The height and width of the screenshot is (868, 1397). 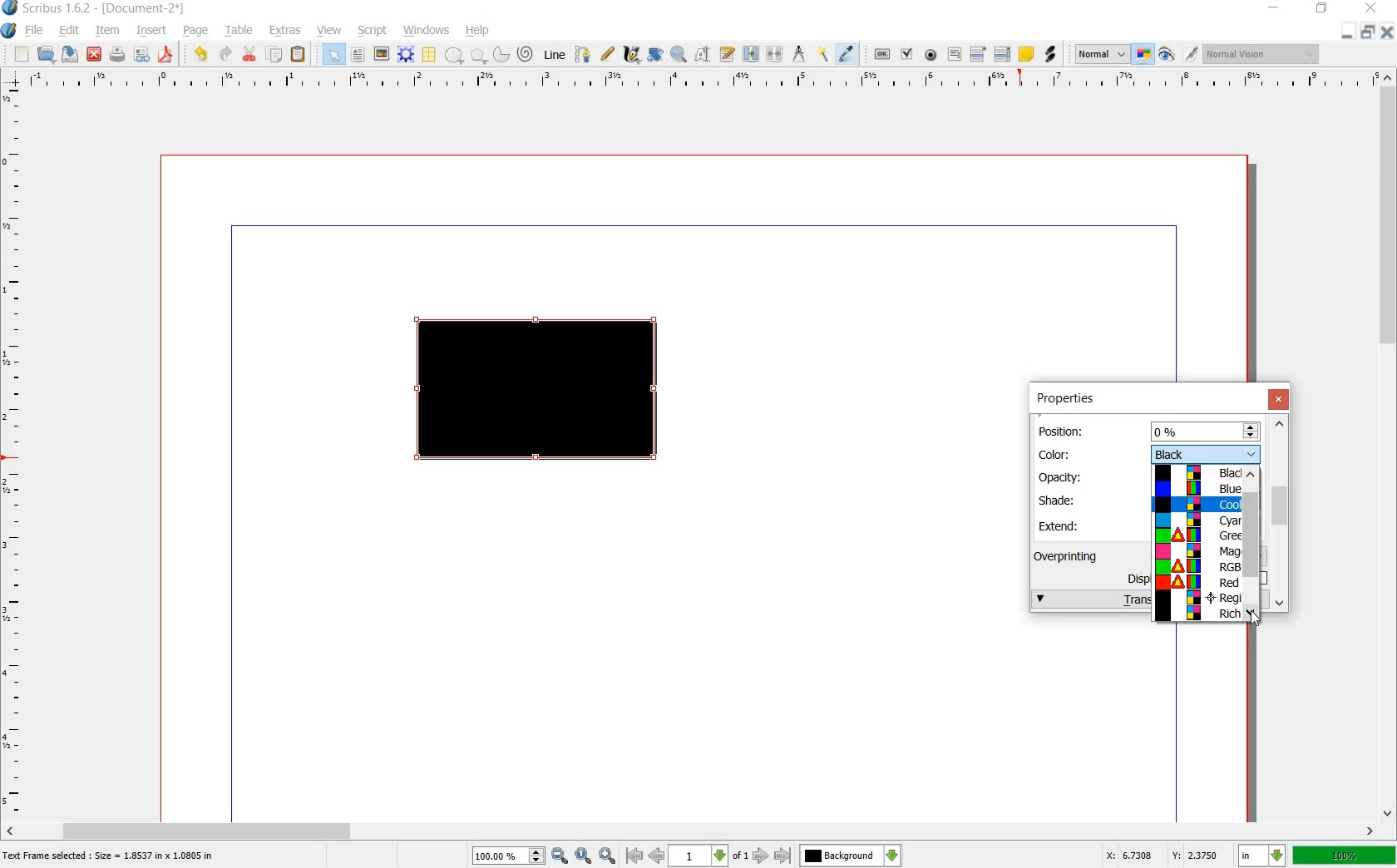 What do you see at coordinates (540, 392) in the screenshot?
I see `gradient added to shape` at bounding box center [540, 392].